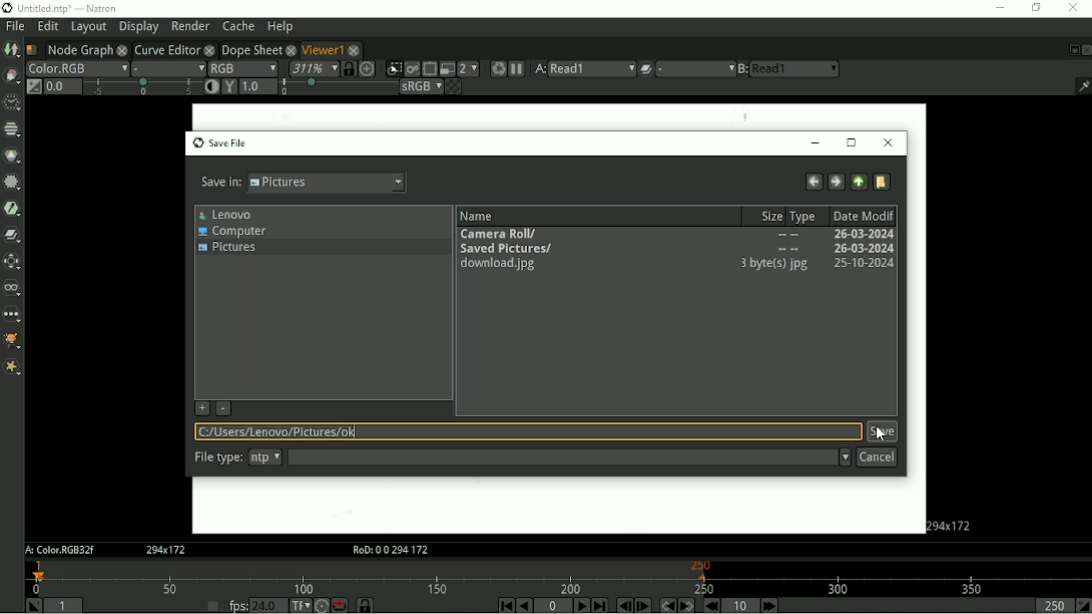 Image resolution: width=1092 pixels, height=614 pixels. I want to click on Behaviour, so click(340, 605).